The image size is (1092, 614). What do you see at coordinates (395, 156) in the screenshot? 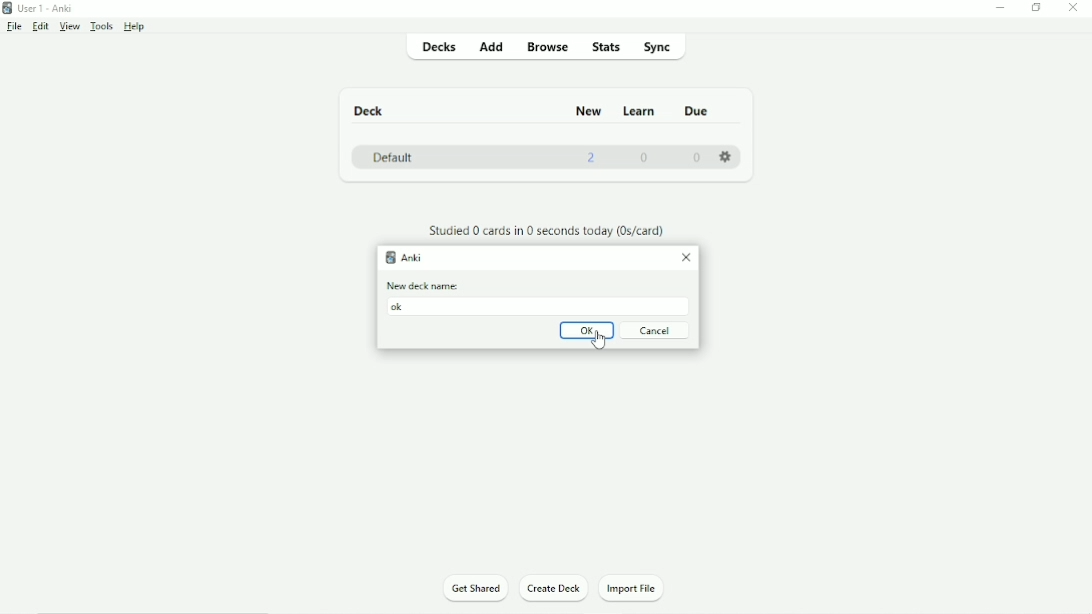
I see `Default` at bounding box center [395, 156].